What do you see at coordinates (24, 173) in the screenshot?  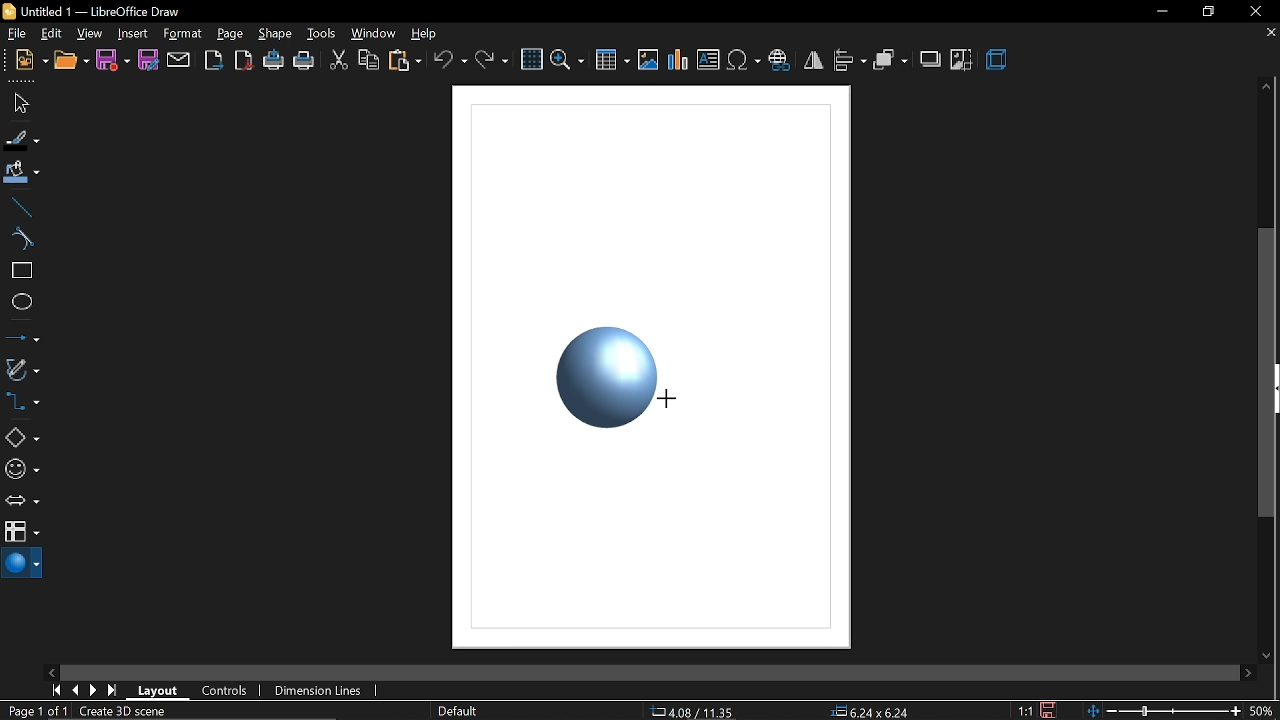 I see `fill color` at bounding box center [24, 173].